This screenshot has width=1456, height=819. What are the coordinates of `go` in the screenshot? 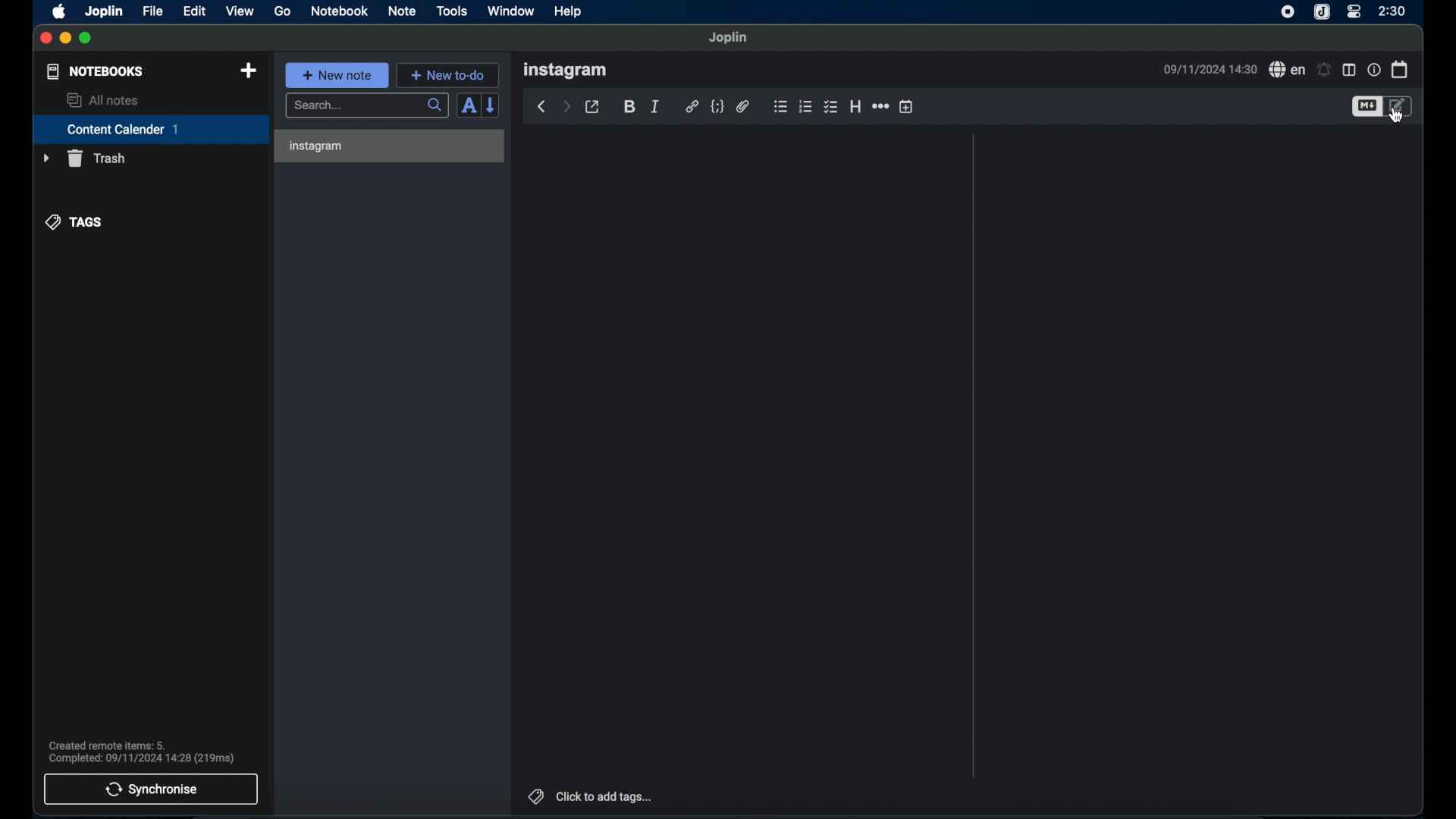 It's located at (284, 11).